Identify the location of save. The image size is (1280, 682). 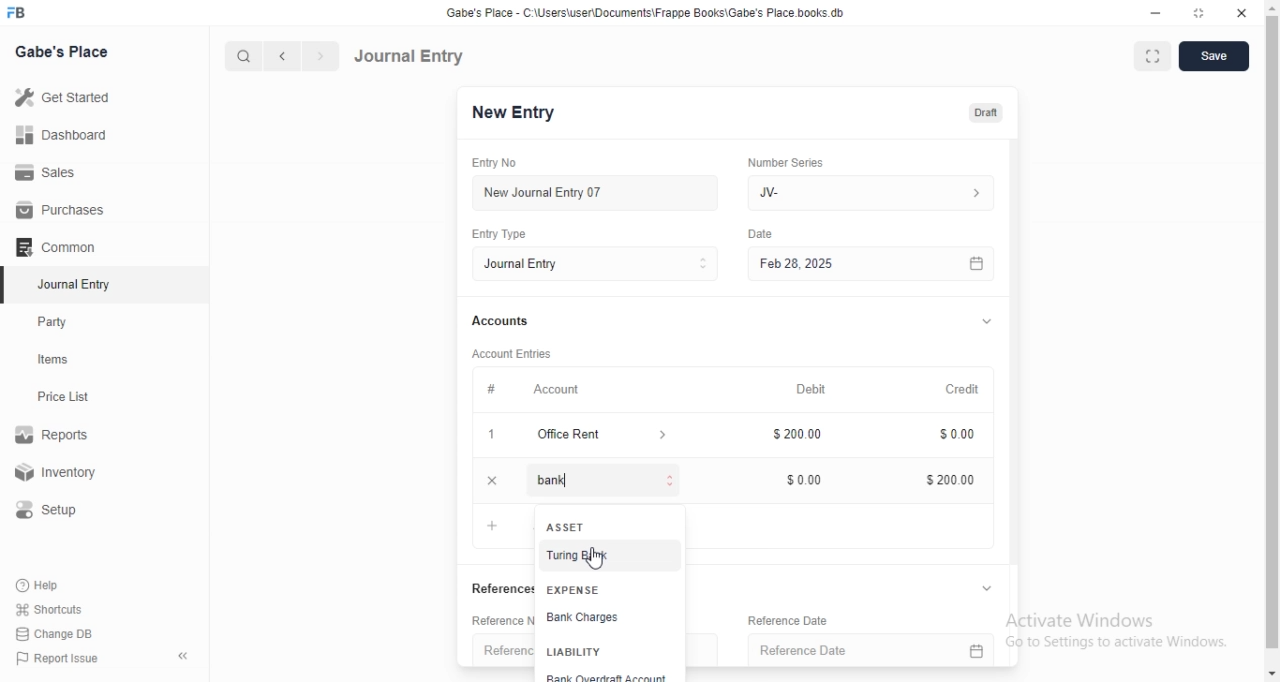
(1217, 56).